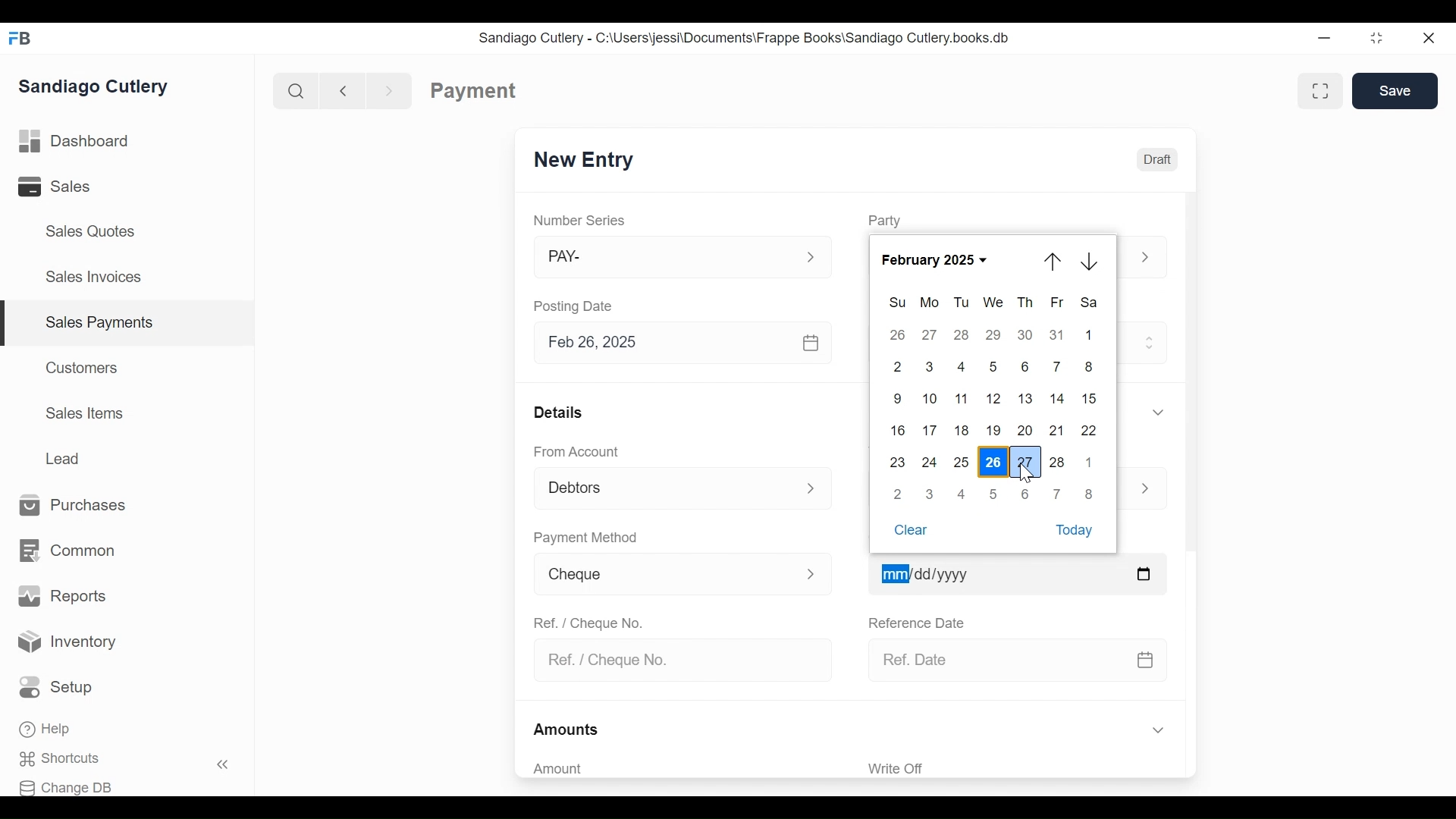 This screenshot has width=1456, height=819. Describe the element at coordinates (962, 334) in the screenshot. I see `25` at that location.